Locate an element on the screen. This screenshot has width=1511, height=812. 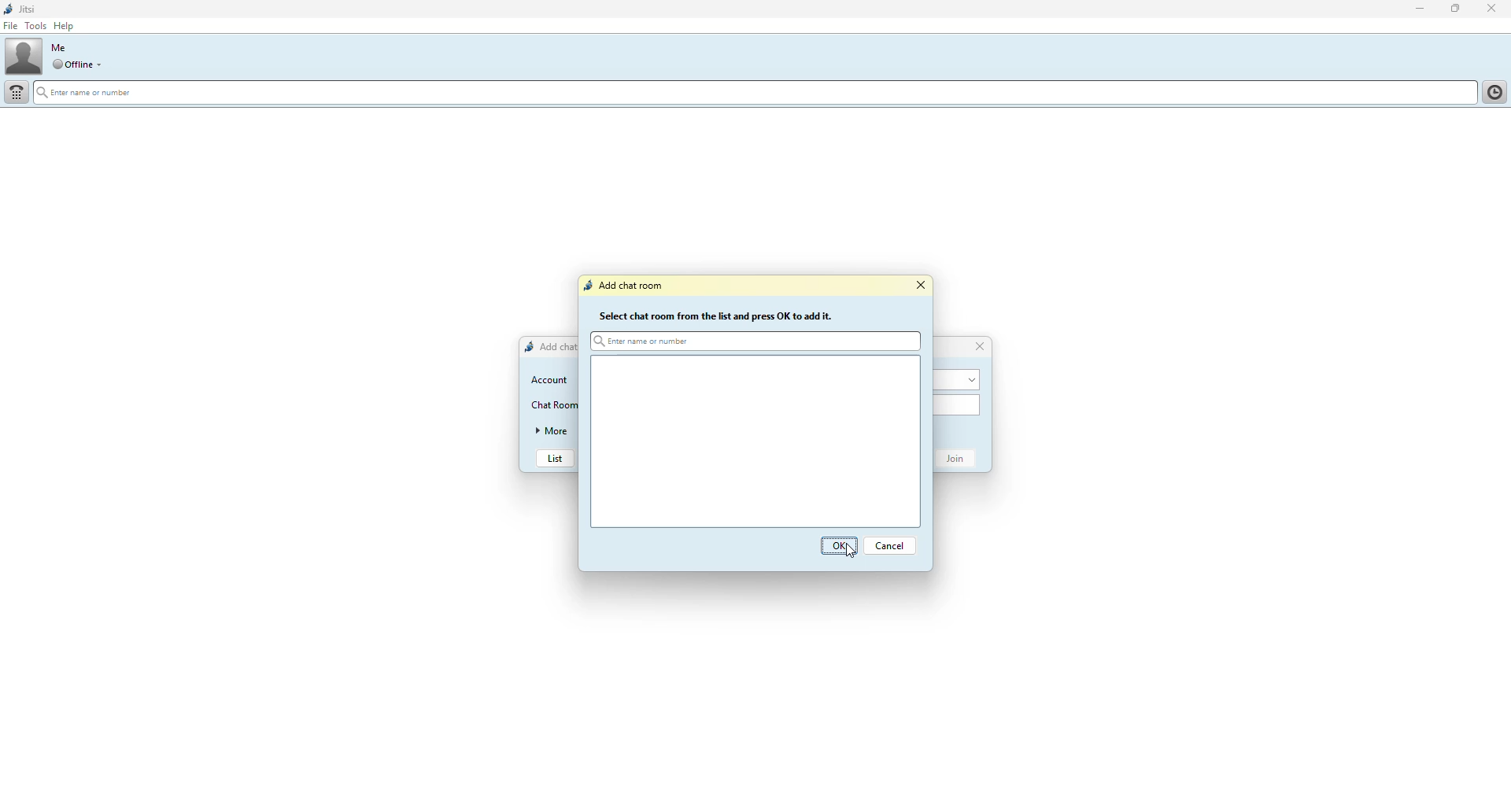
OK is located at coordinates (840, 548).